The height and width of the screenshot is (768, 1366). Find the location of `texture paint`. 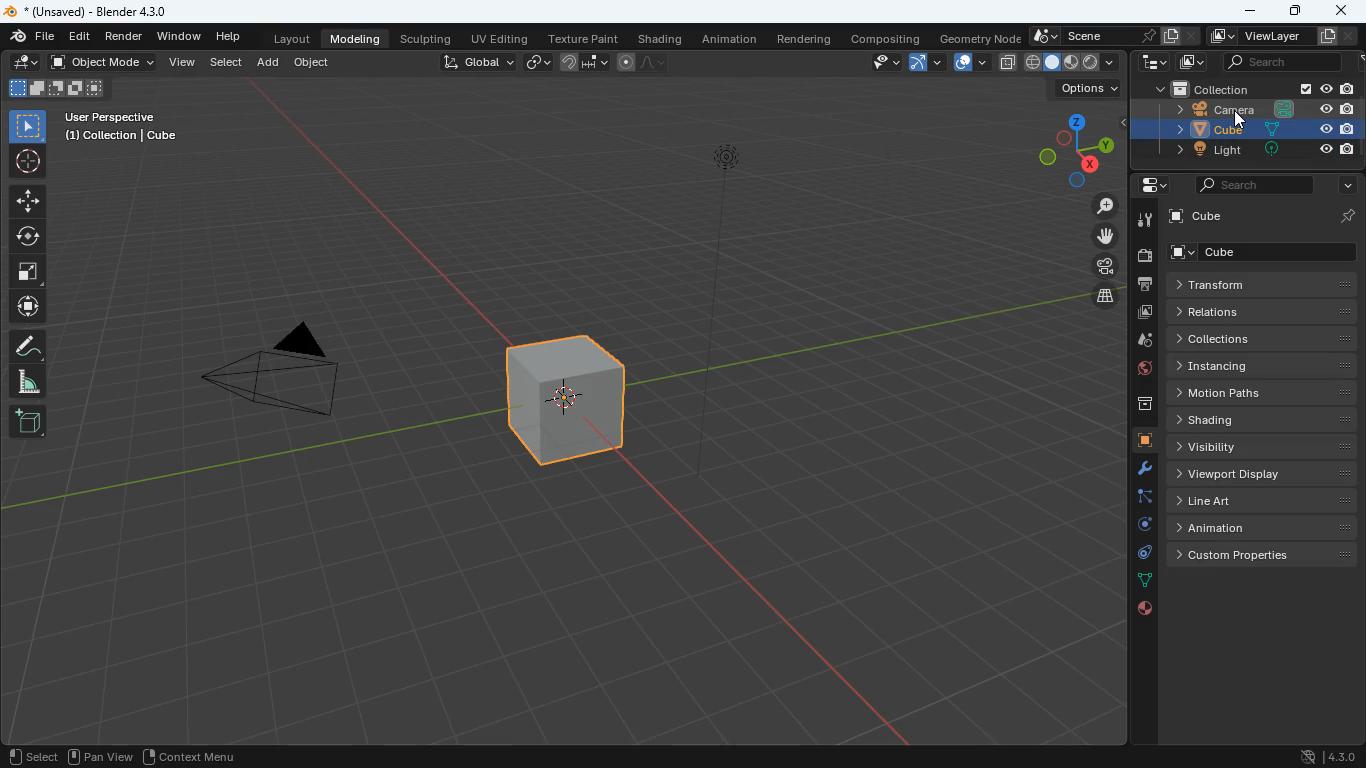

texture paint is located at coordinates (583, 38).